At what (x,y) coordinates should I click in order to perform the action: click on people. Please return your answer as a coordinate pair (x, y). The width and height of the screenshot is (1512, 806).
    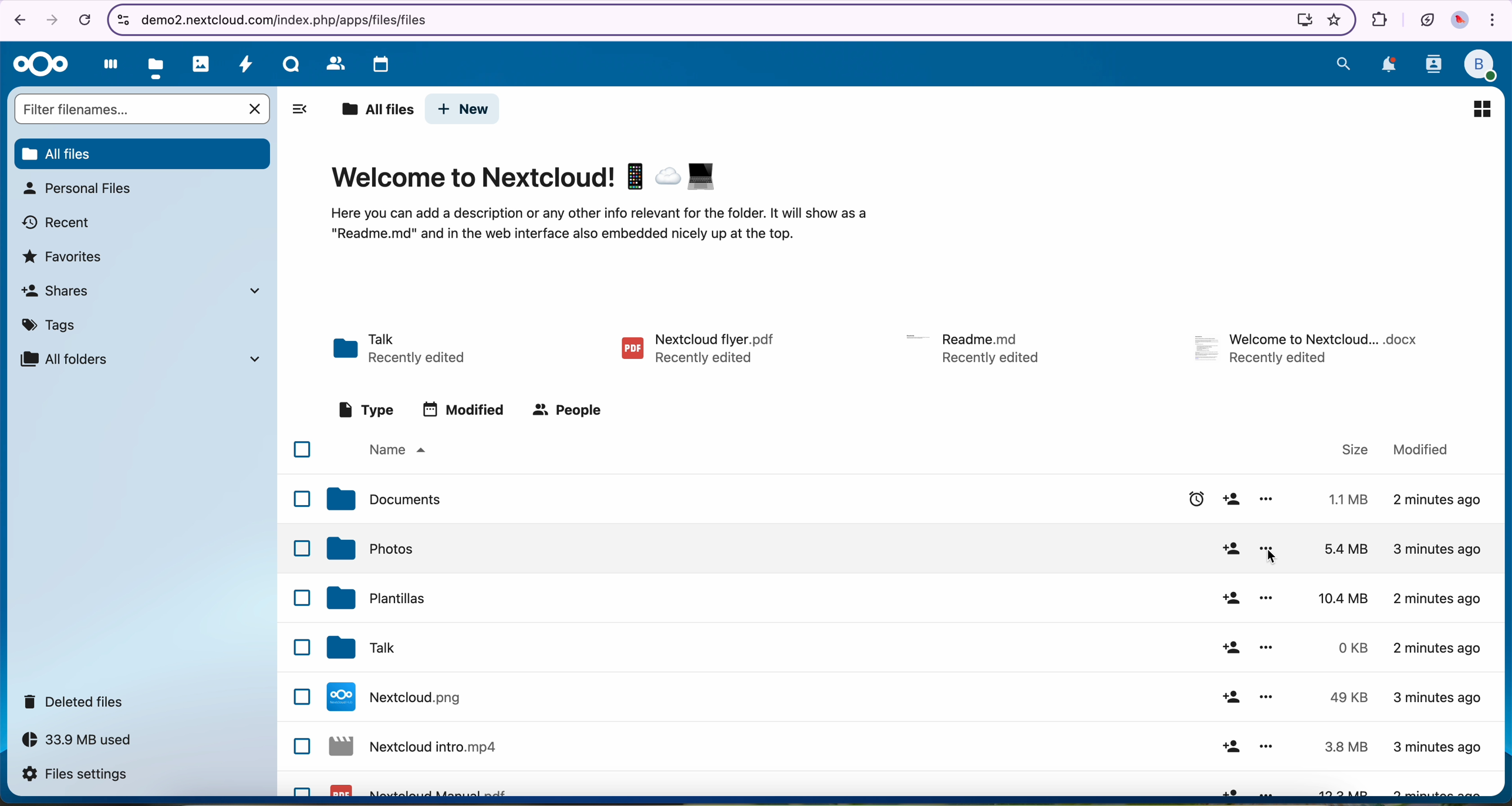
    Looking at the image, I should click on (570, 412).